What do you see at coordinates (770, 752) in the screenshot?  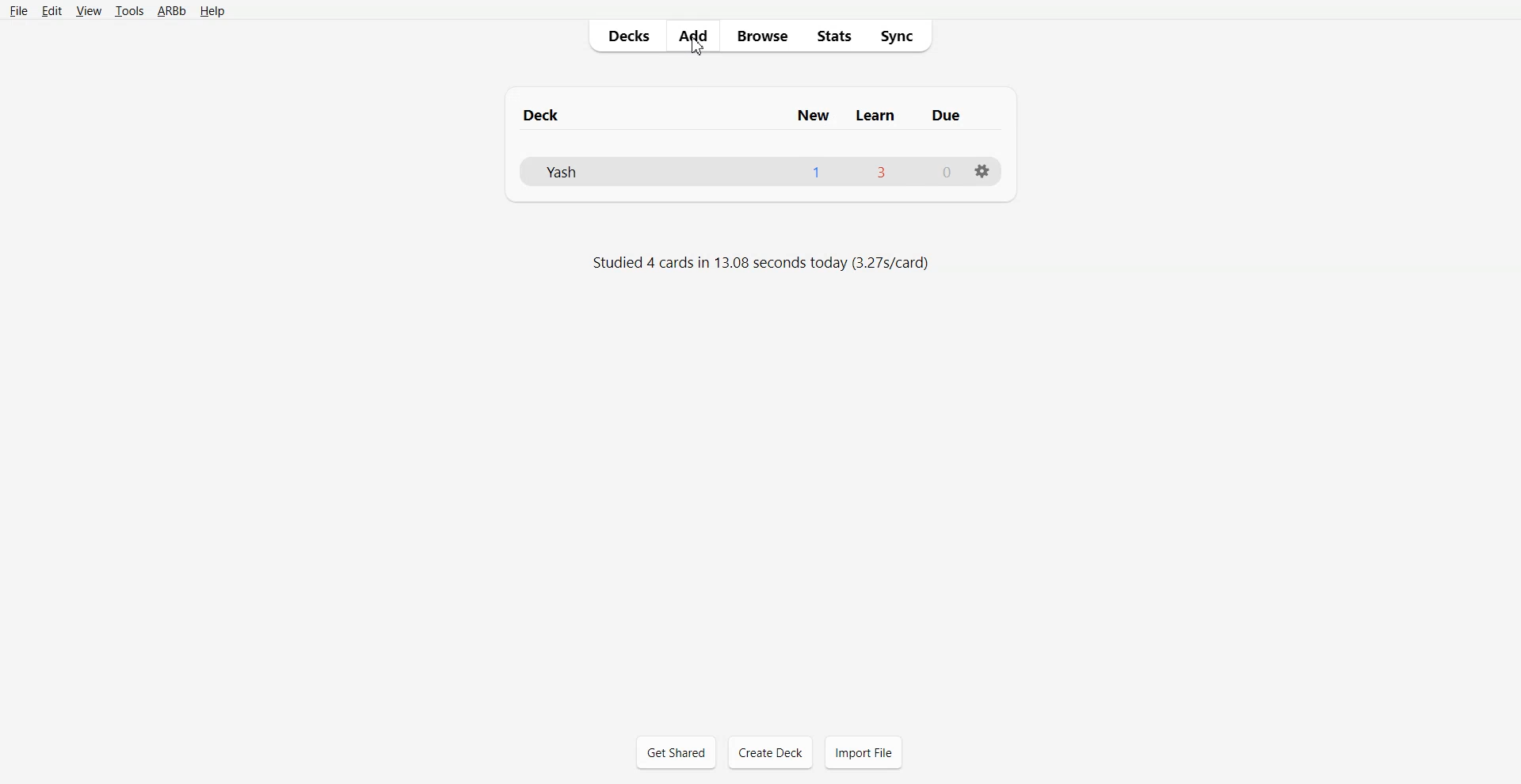 I see `Create Deck` at bounding box center [770, 752].